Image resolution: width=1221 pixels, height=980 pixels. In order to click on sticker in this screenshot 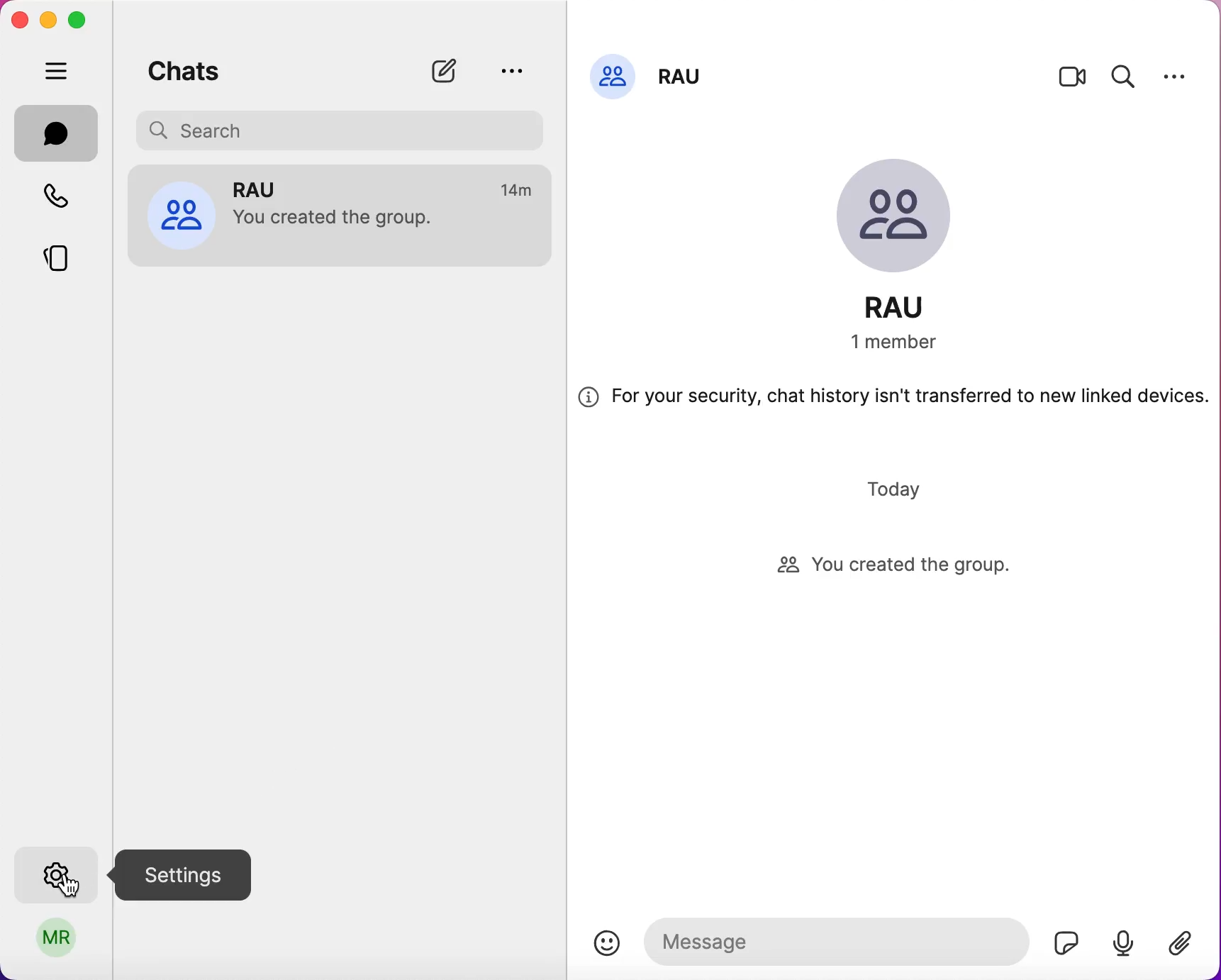, I will do `click(1062, 939)`.